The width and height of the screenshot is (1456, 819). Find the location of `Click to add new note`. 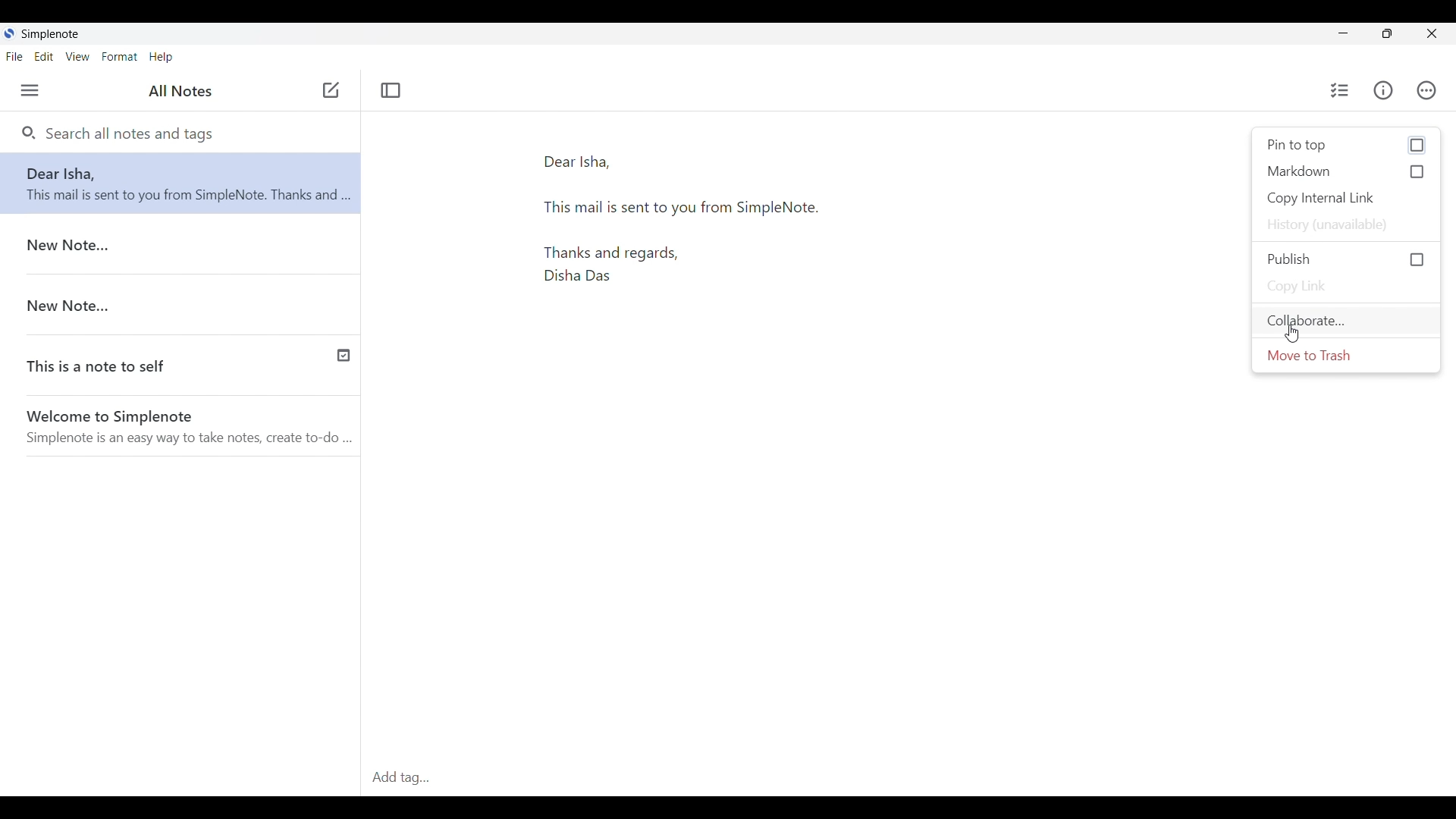

Click to add new note is located at coordinates (330, 90).